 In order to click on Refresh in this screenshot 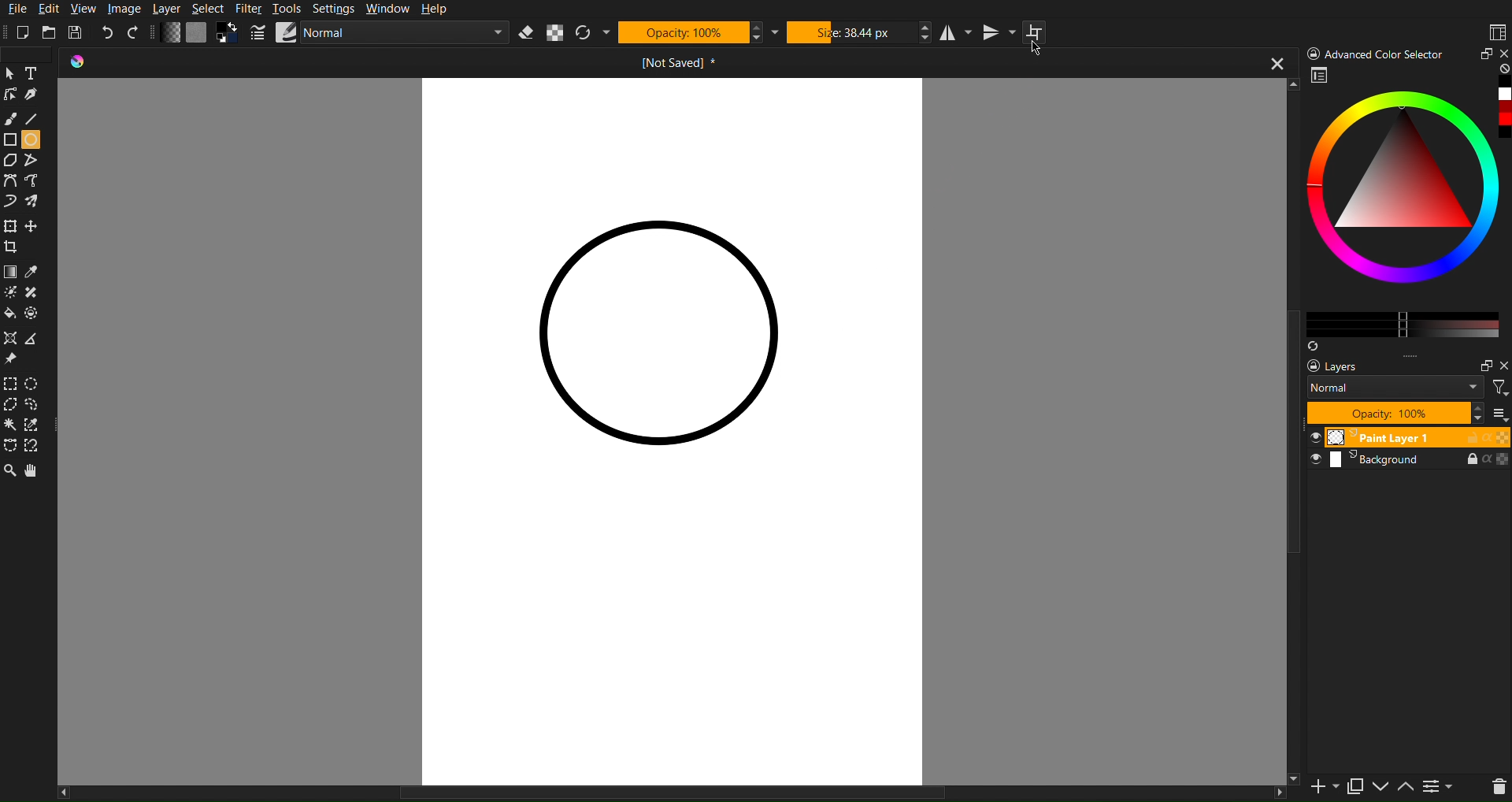, I will do `click(584, 32)`.